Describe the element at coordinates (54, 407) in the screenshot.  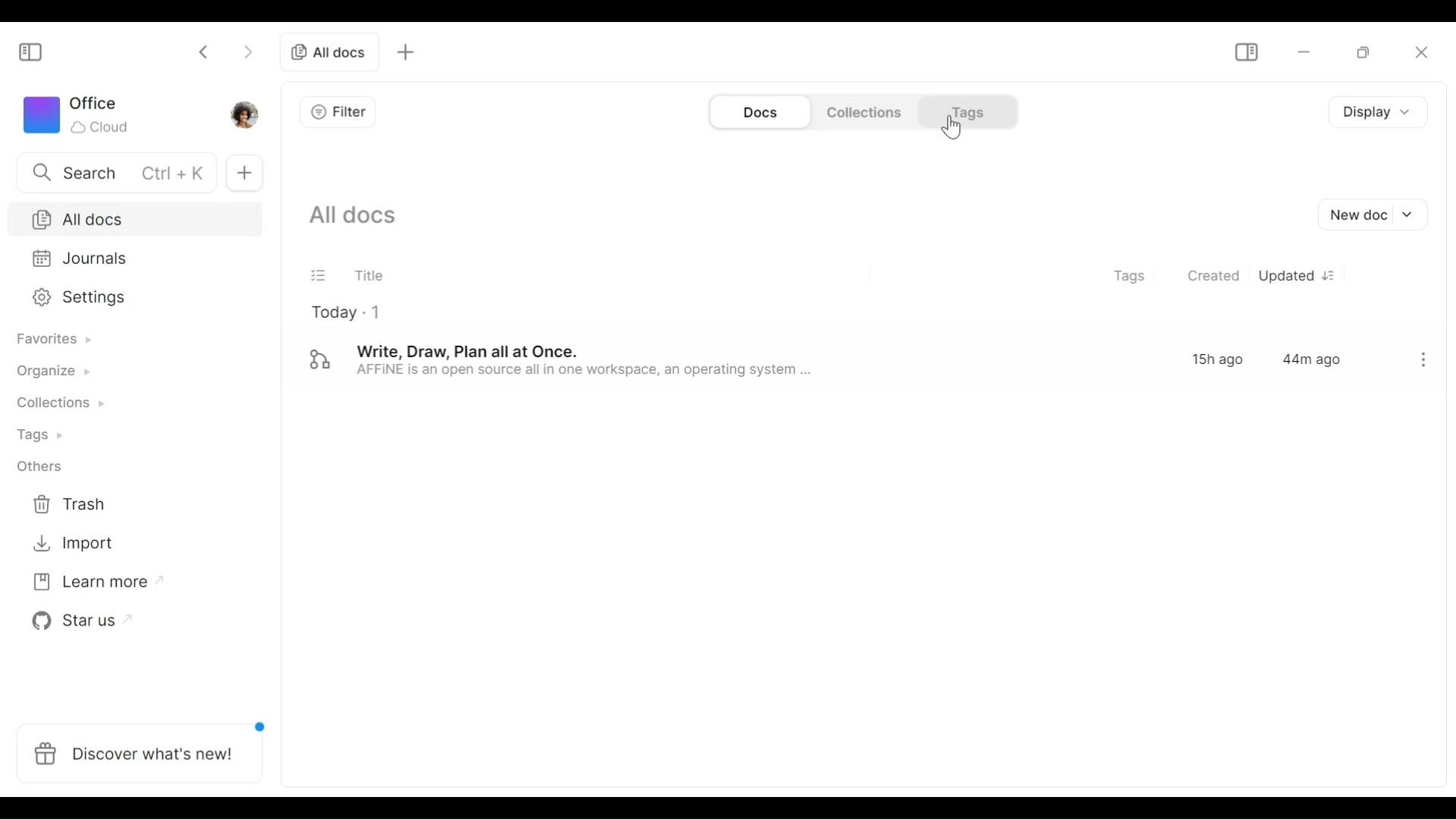
I see `Collections` at that location.